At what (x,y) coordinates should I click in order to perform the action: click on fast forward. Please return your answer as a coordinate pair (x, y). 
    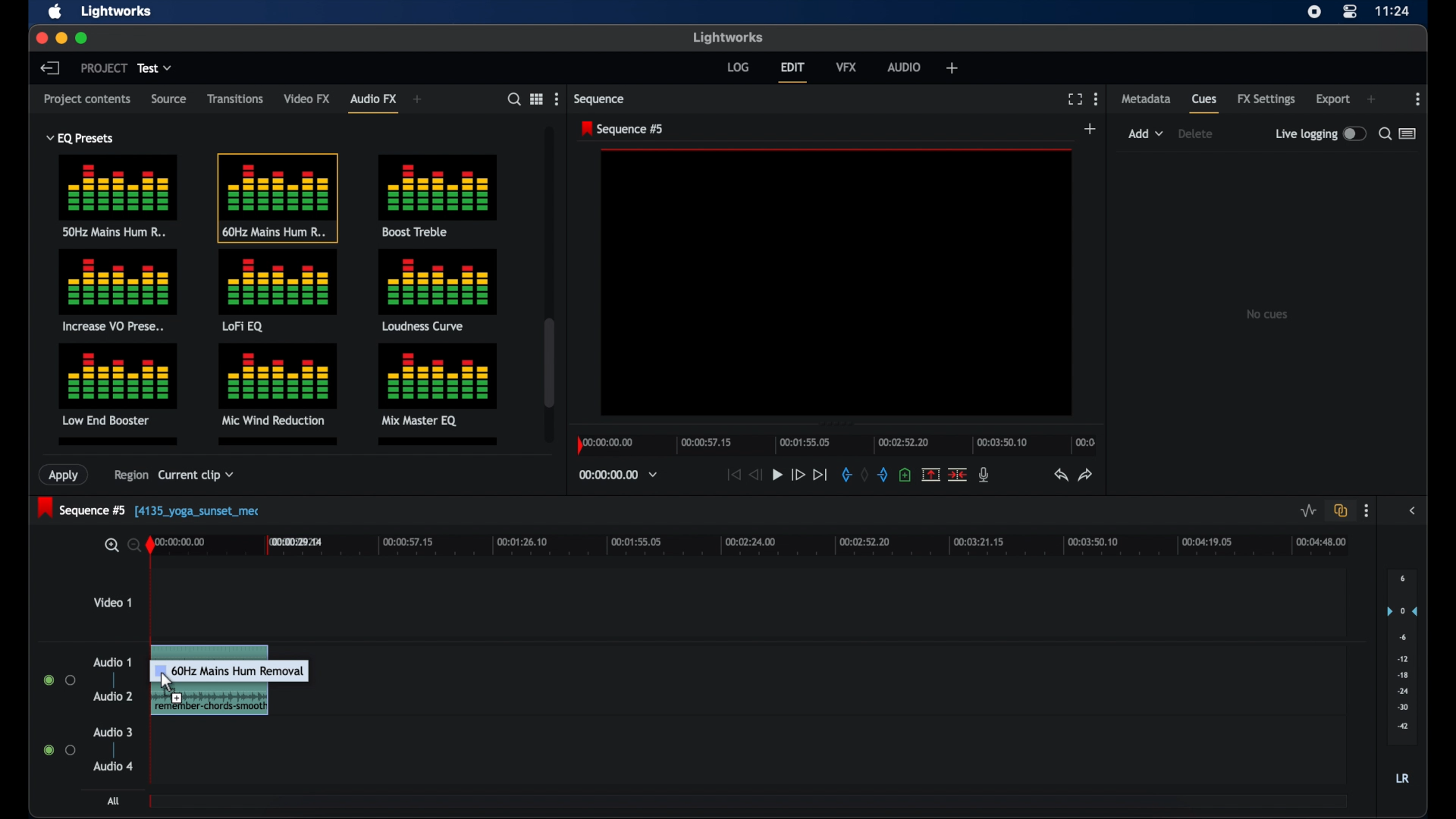
    Looking at the image, I should click on (798, 476).